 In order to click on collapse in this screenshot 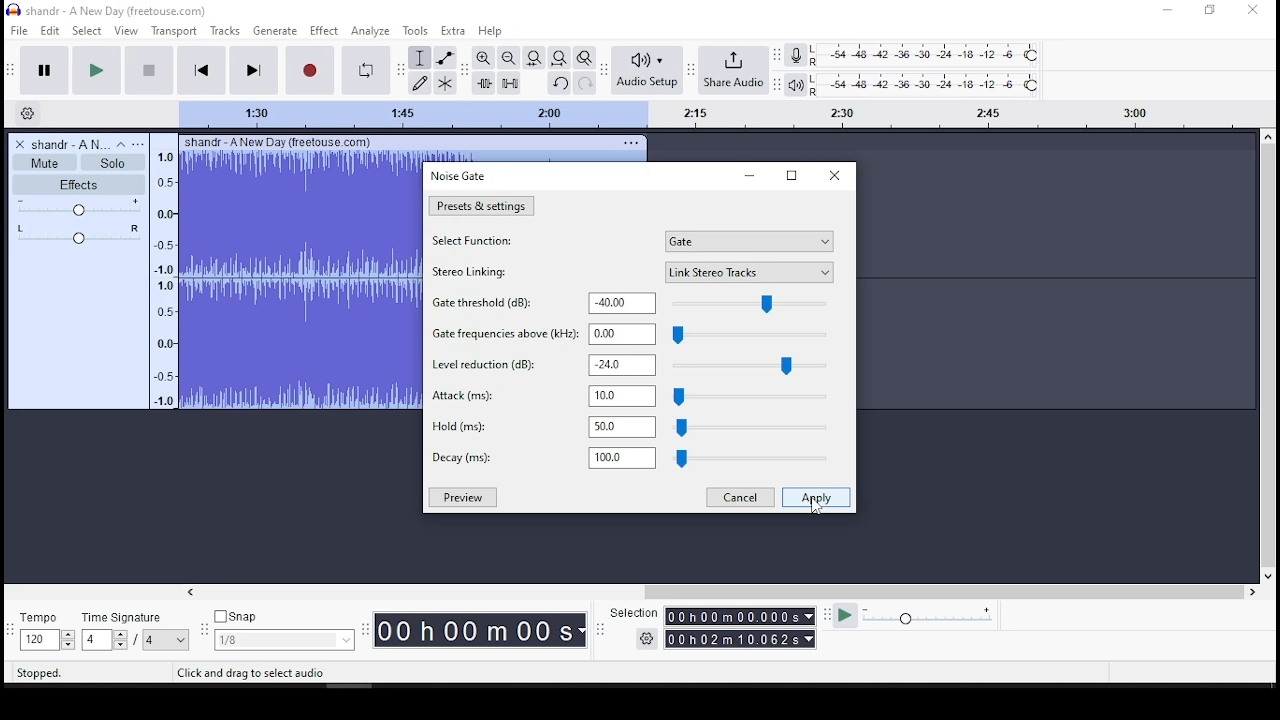, I will do `click(121, 144)`.